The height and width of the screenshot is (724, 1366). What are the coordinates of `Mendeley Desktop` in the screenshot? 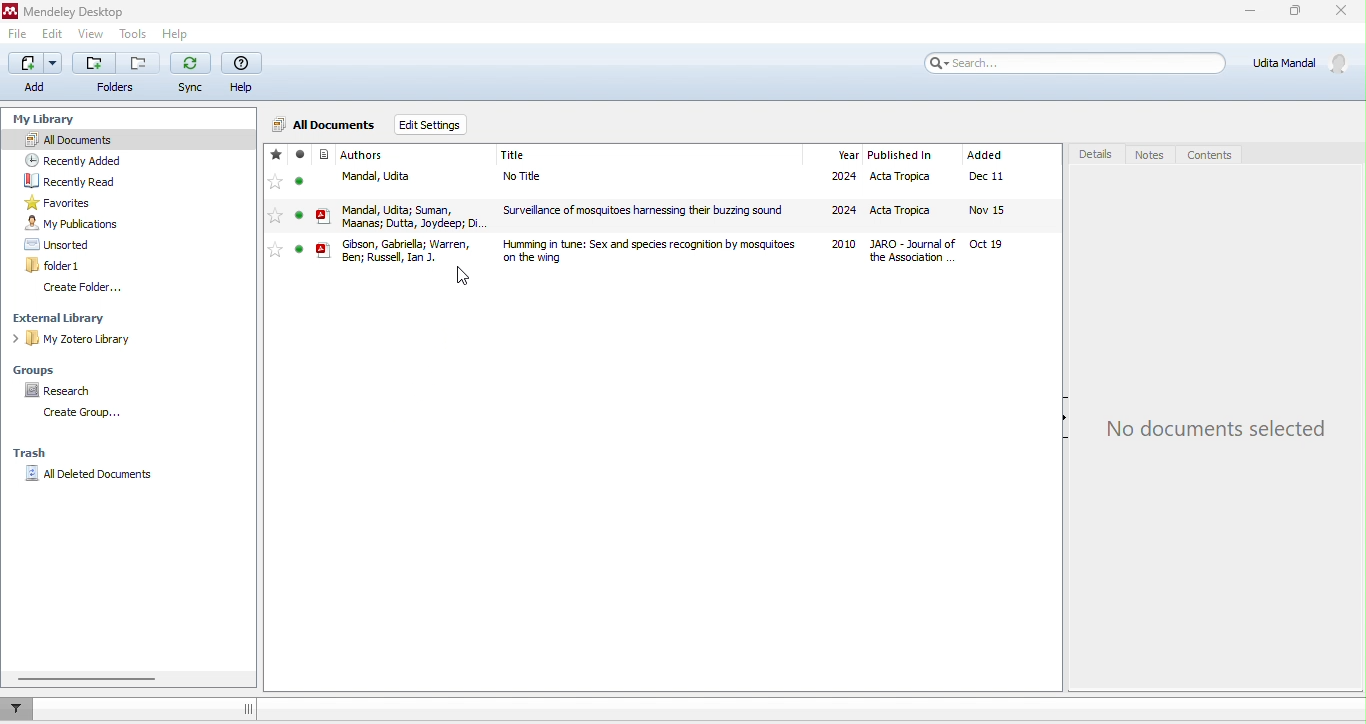 It's located at (82, 13).